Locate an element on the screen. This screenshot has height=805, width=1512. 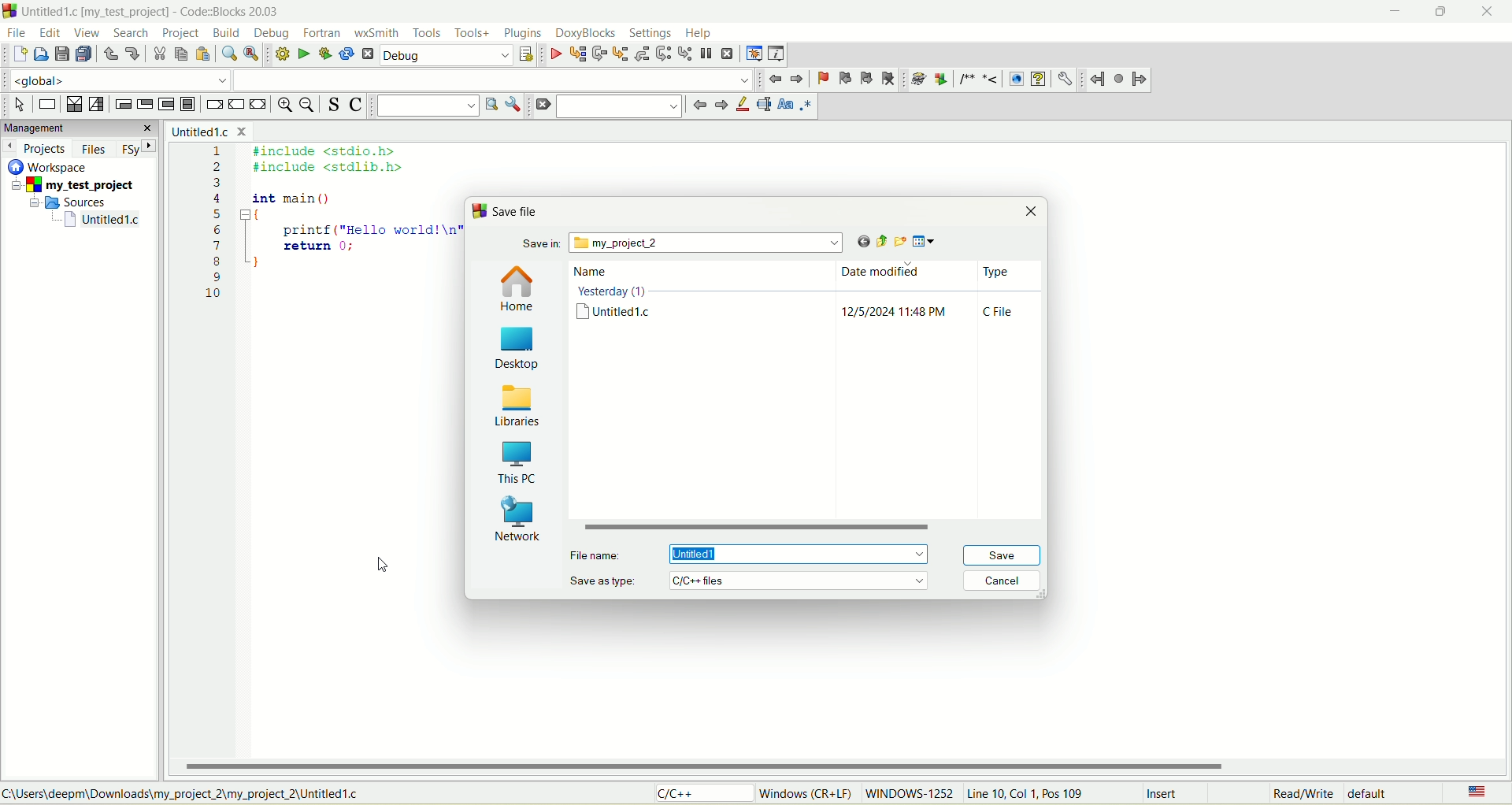
find is located at coordinates (228, 54).